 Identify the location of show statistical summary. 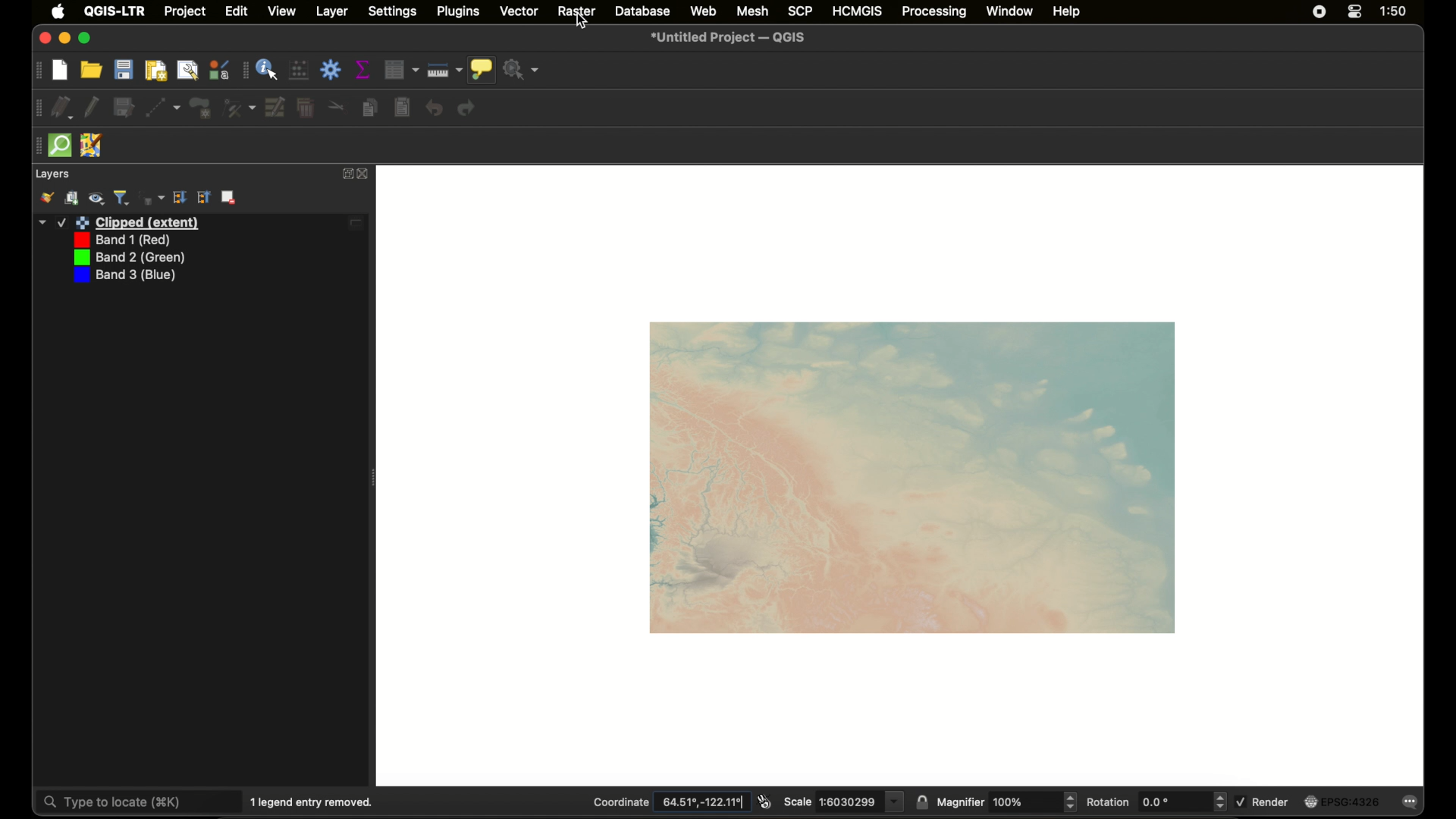
(363, 69).